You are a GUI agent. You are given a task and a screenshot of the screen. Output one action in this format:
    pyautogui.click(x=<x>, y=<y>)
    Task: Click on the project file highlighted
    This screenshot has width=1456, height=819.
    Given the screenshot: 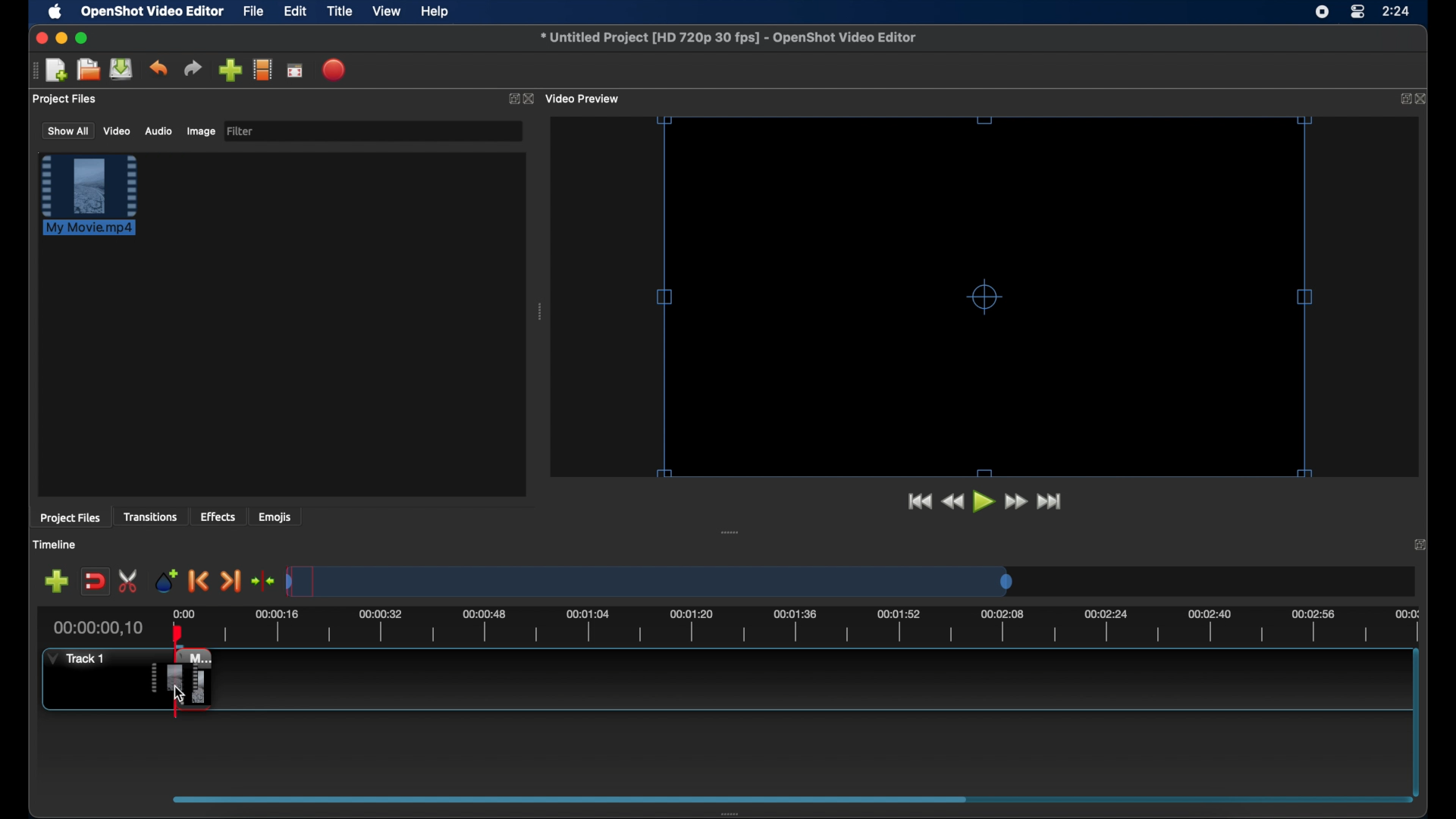 What is the action you would take?
    pyautogui.click(x=89, y=196)
    